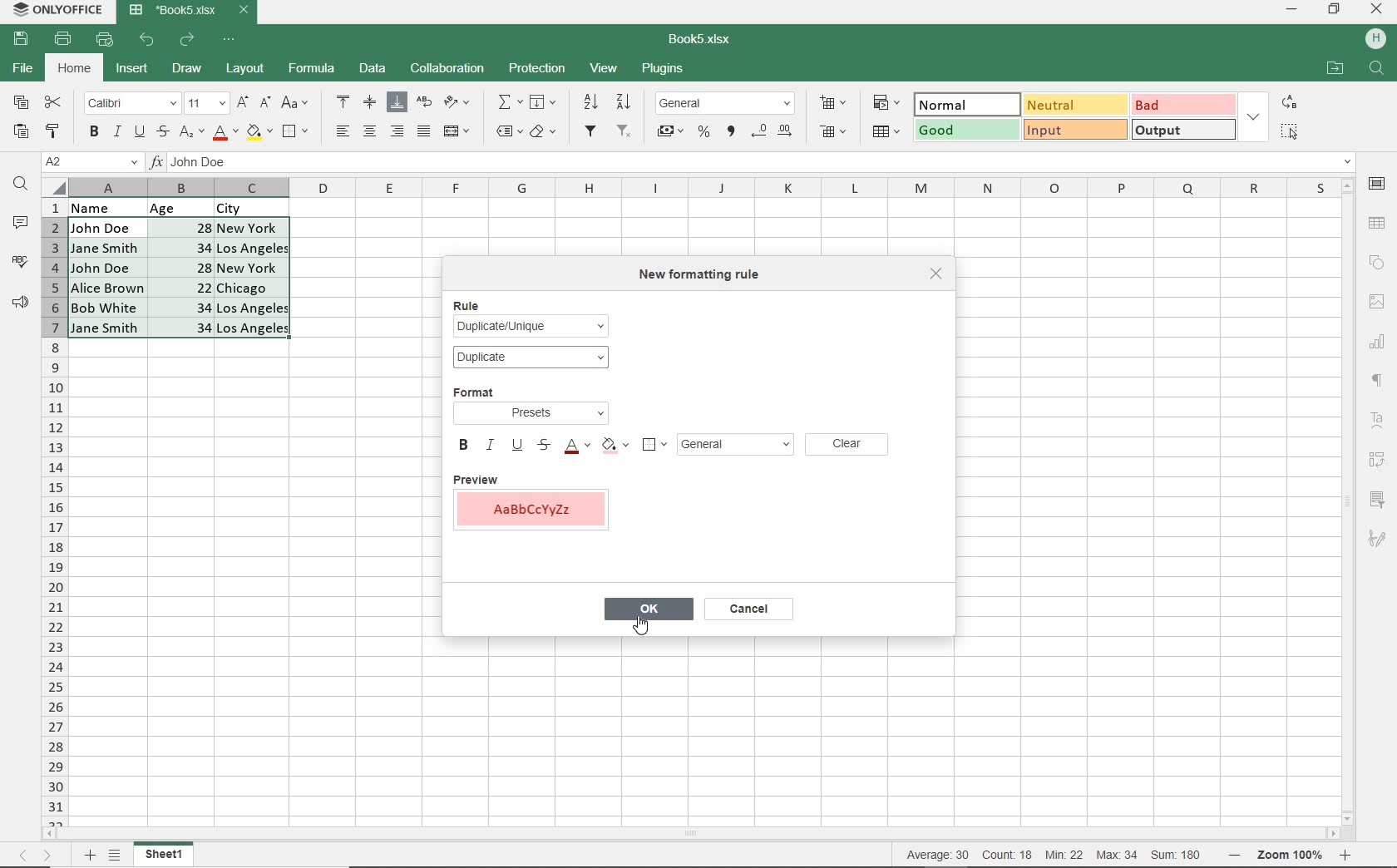  Describe the element at coordinates (669, 133) in the screenshot. I see `ACCOUNTING STYLE` at that location.